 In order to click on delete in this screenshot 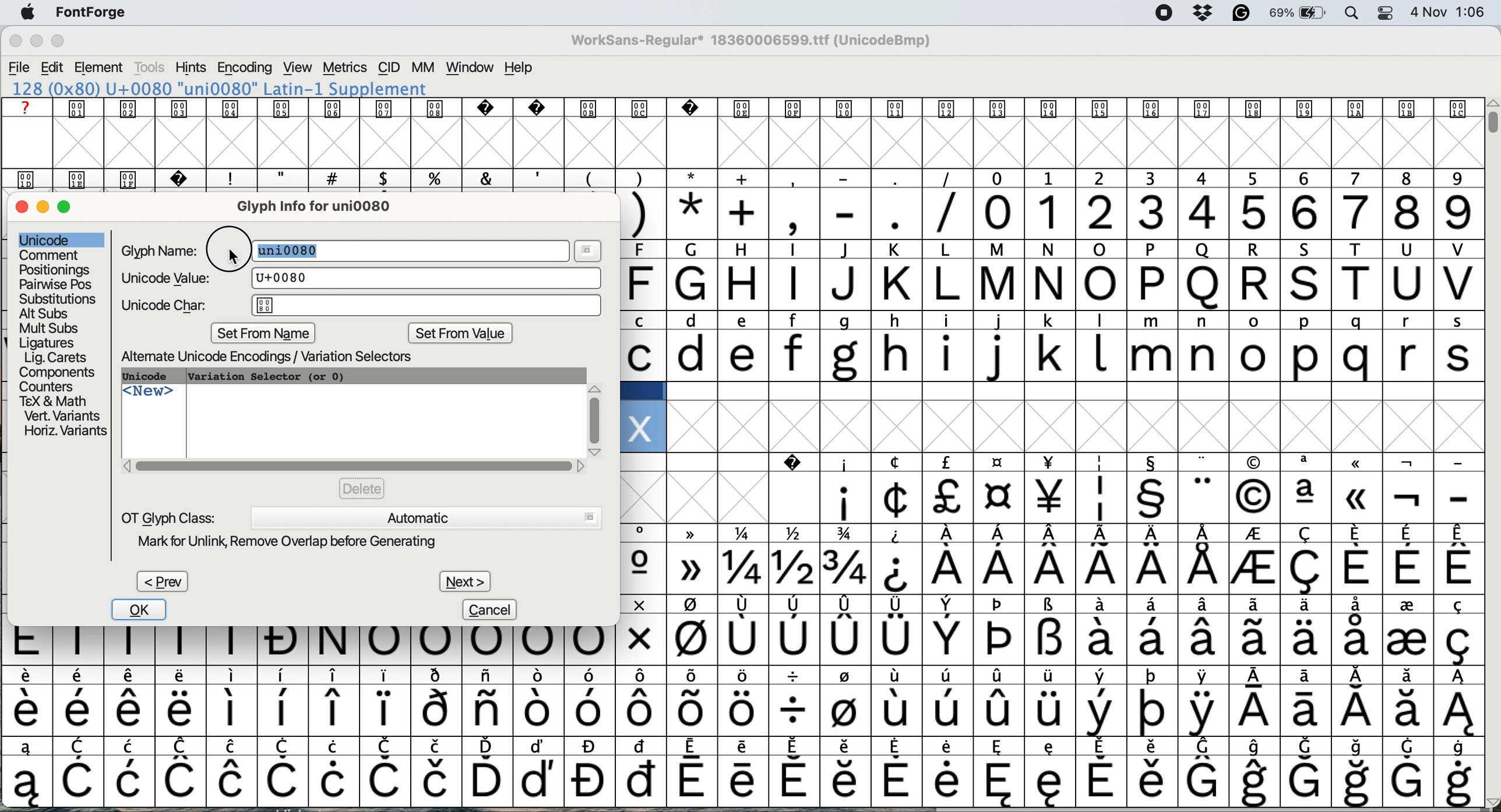, I will do `click(362, 488)`.